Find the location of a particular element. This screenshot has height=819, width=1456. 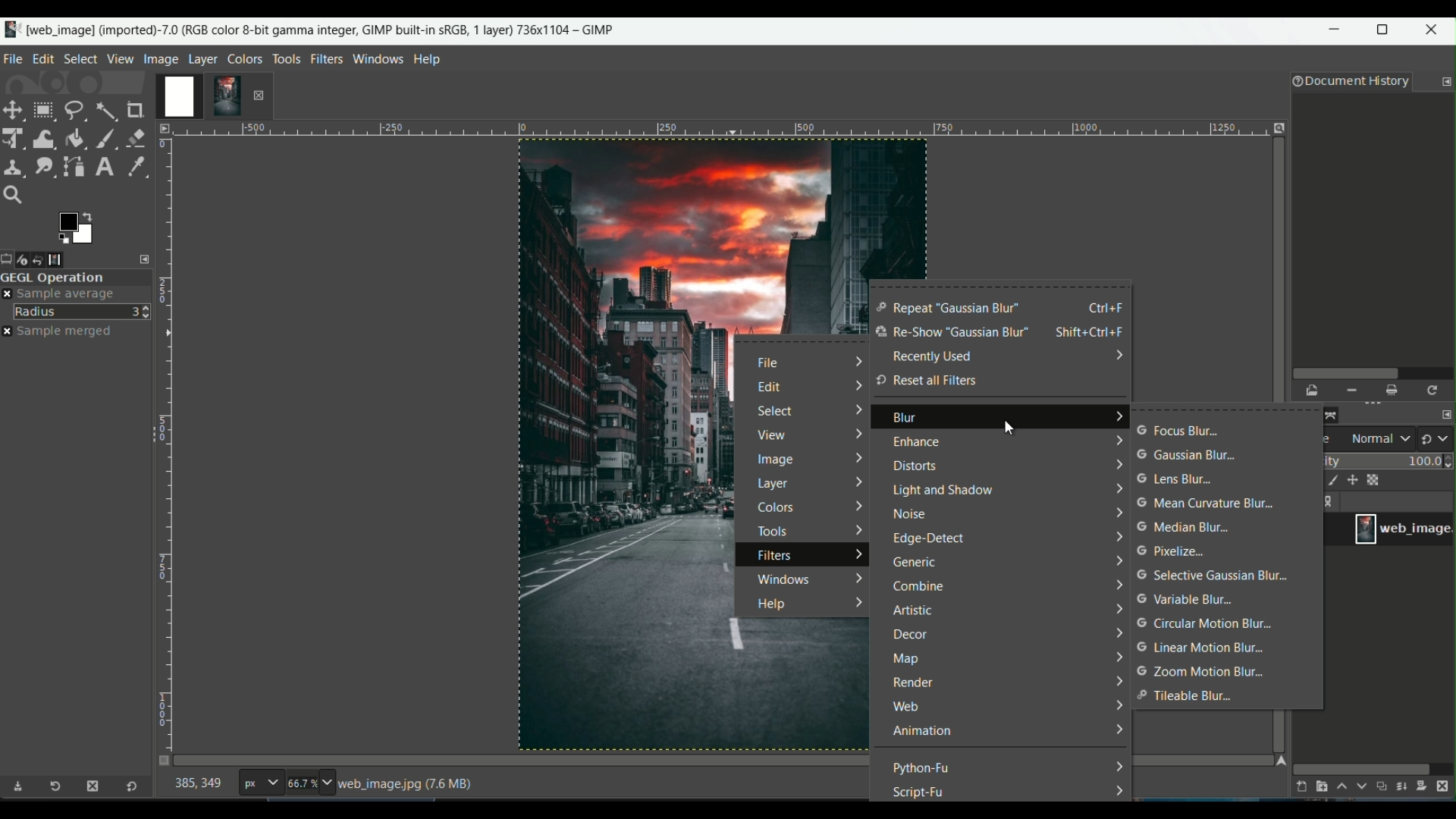

recently used is located at coordinates (932, 356).